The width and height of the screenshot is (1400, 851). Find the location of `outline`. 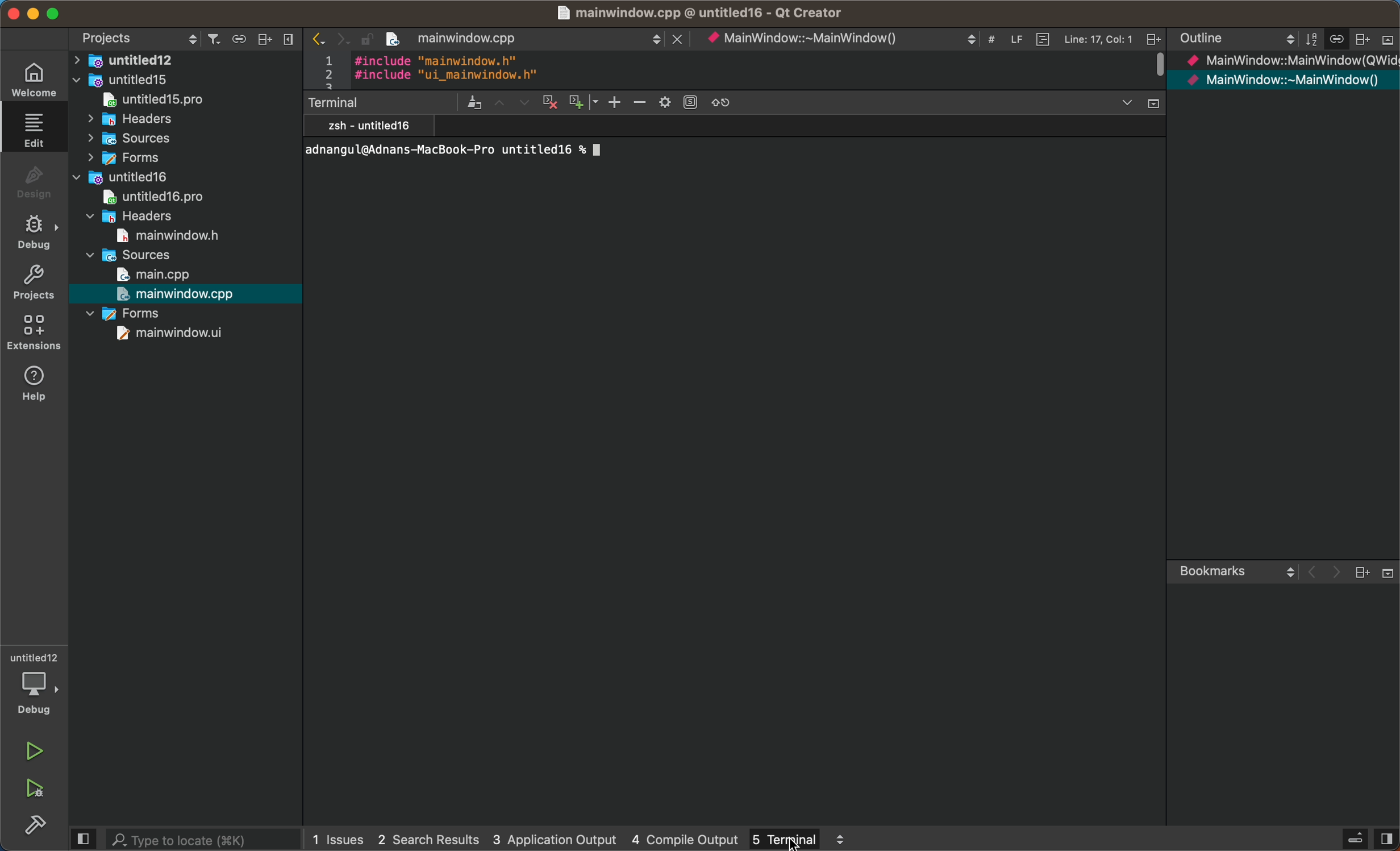

outline is located at coordinates (1284, 40).